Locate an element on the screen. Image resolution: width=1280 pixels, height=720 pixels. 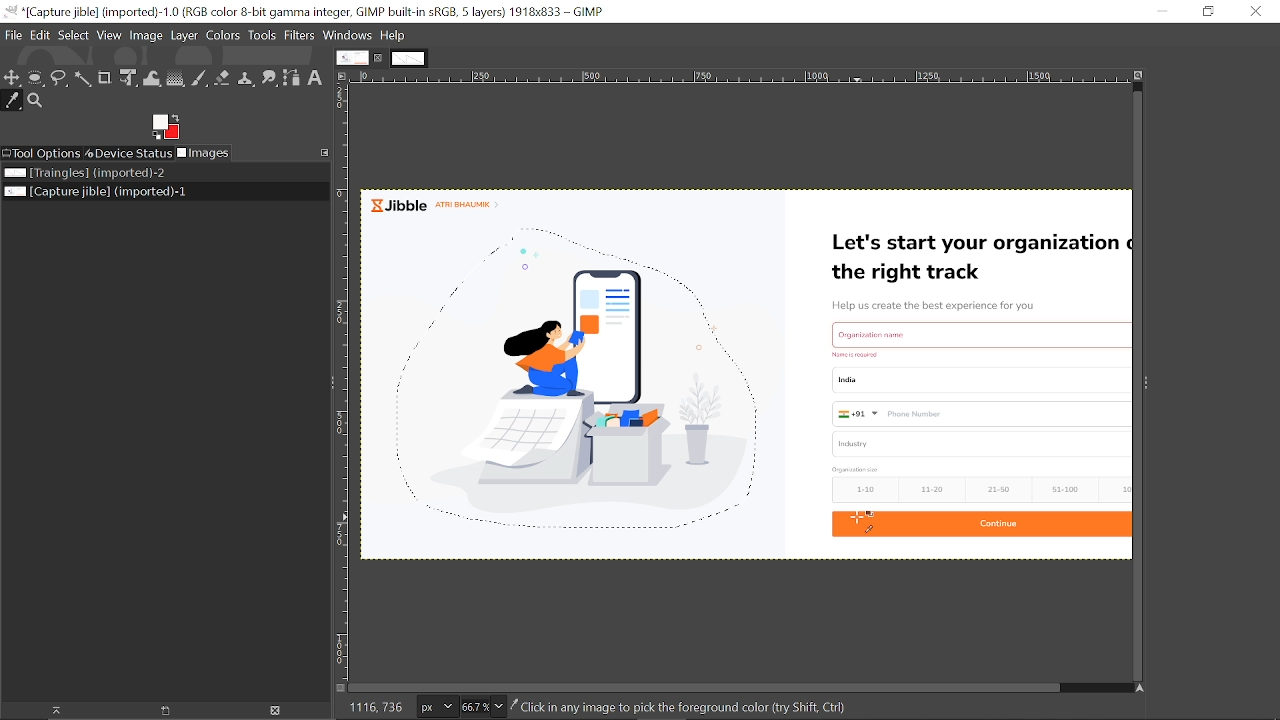
Close current tab is located at coordinates (379, 58).